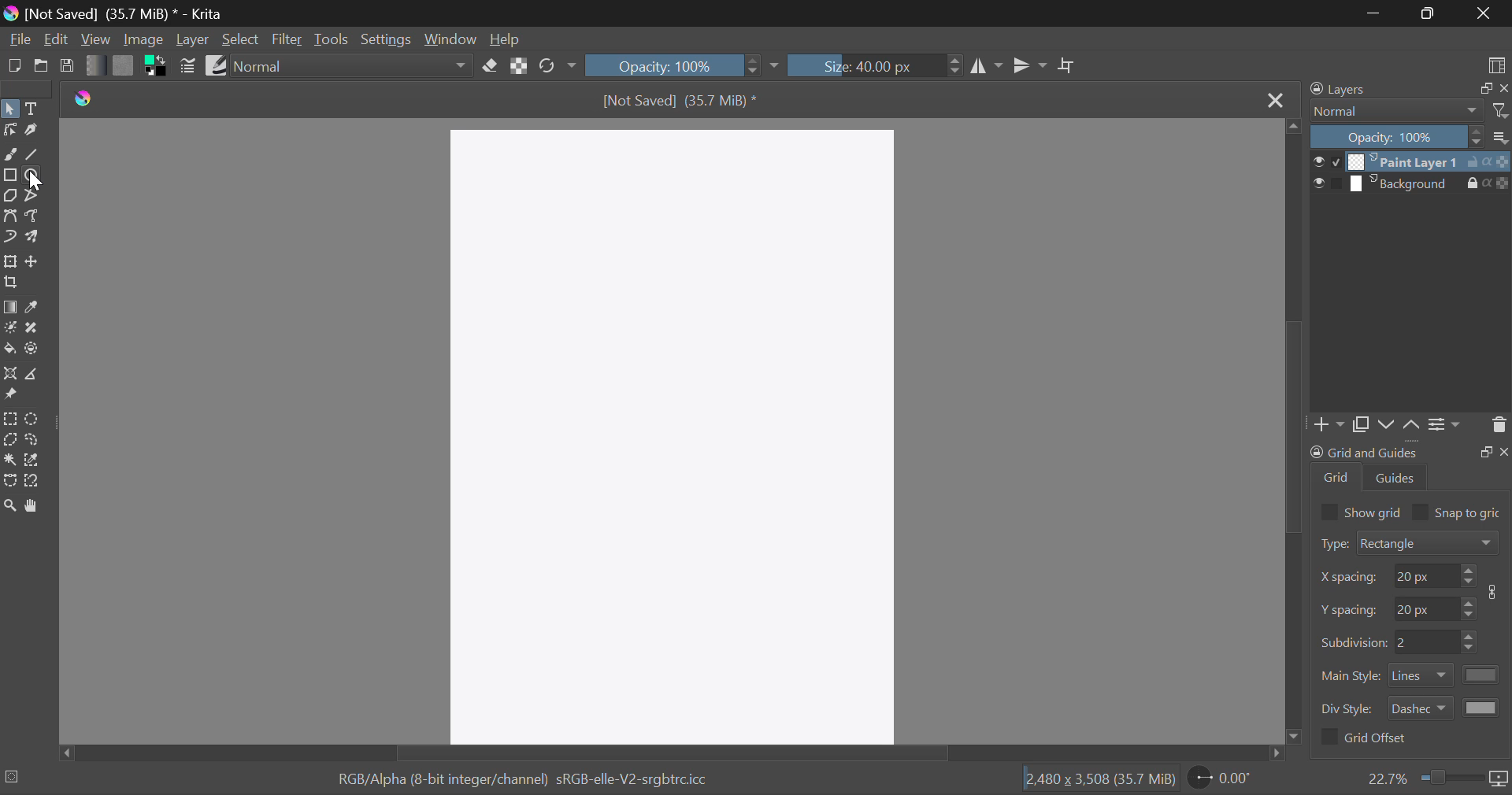 This screenshot has width=1512, height=795. I want to click on Opacity, so click(1411, 138).